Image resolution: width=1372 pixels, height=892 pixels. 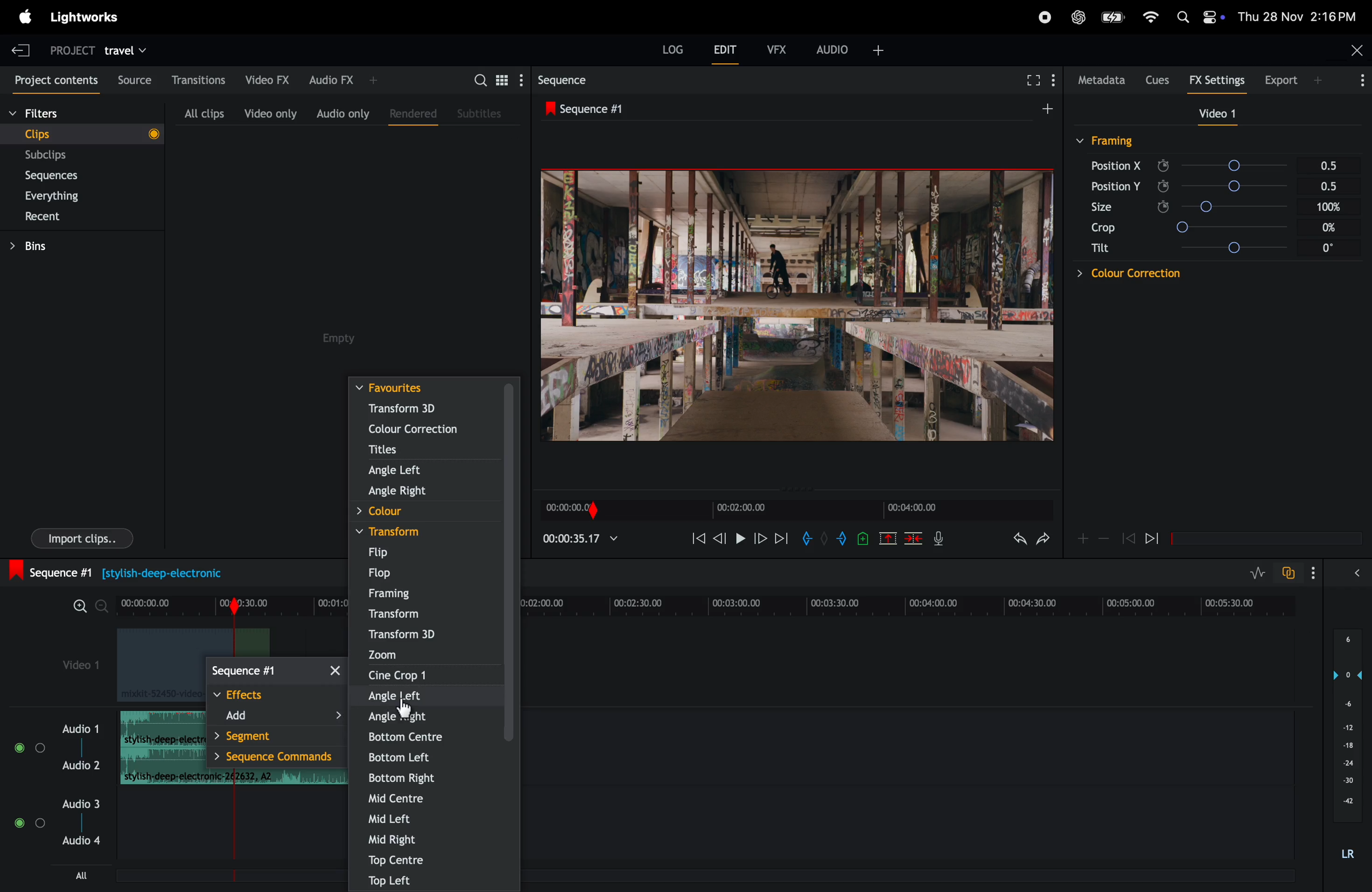 I want to click on angle, so click(x=1253, y=188).